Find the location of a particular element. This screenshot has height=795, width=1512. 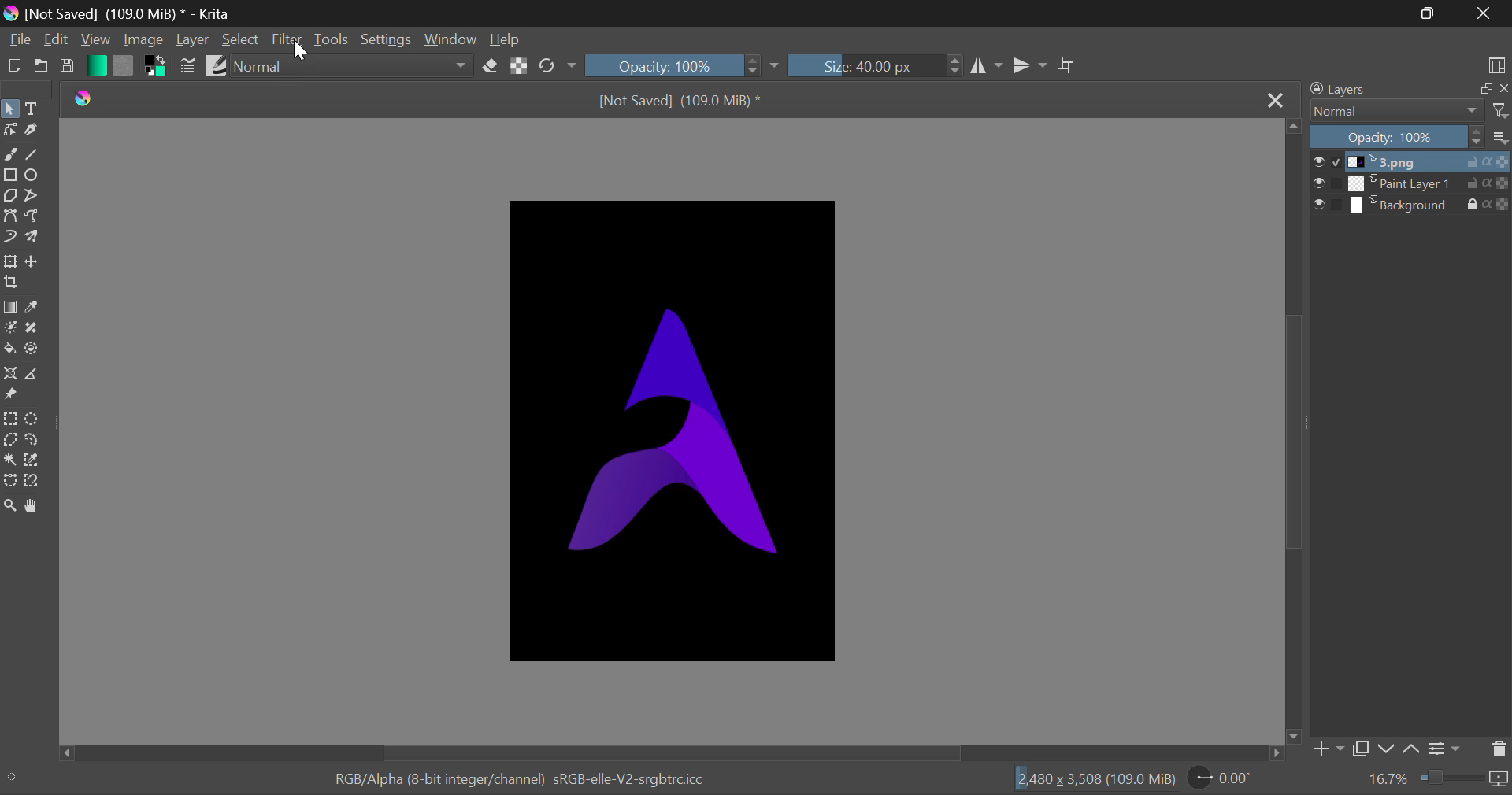

Add Layer is located at coordinates (1328, 749).